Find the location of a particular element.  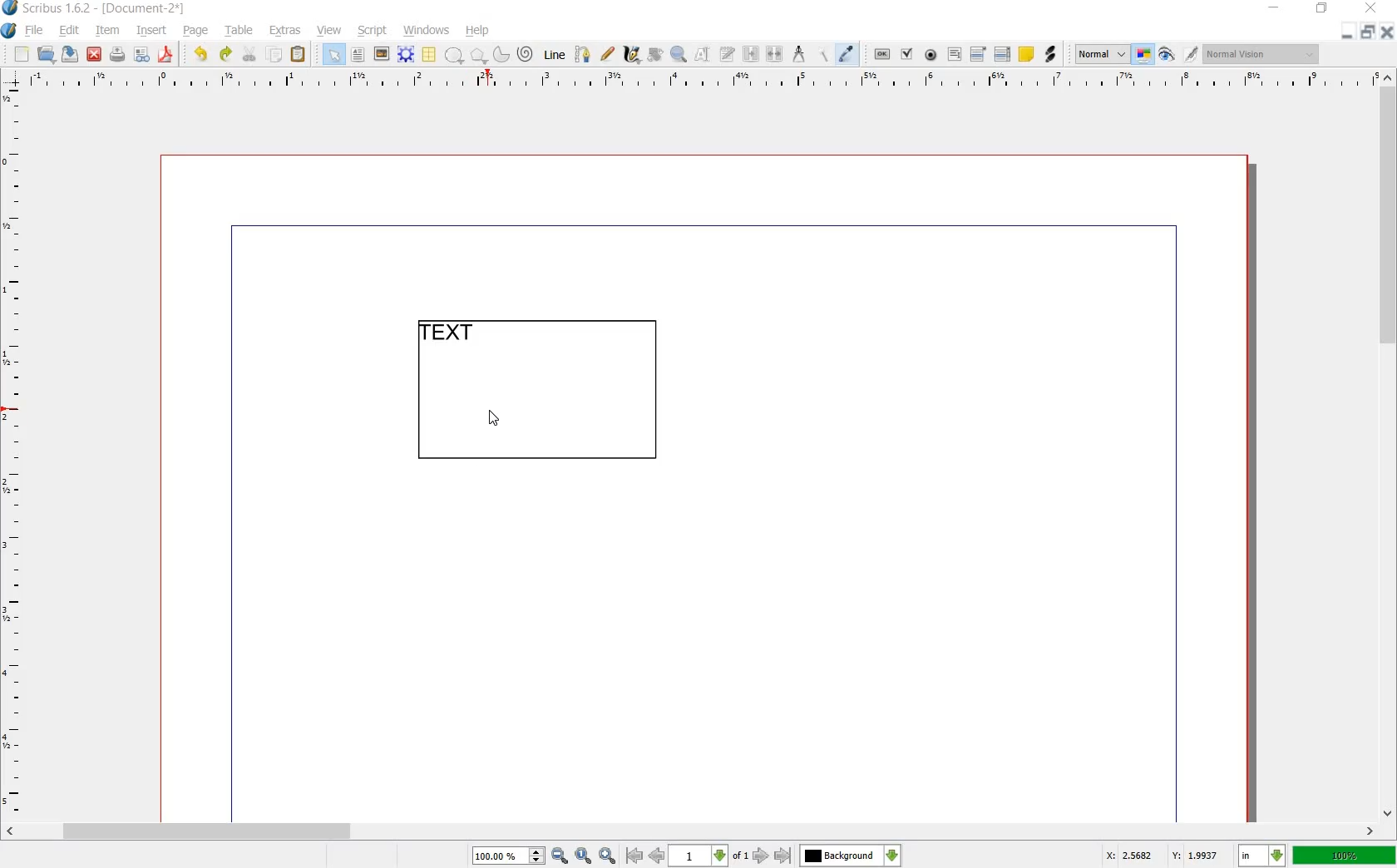

open is located at coordinates (48, 55).